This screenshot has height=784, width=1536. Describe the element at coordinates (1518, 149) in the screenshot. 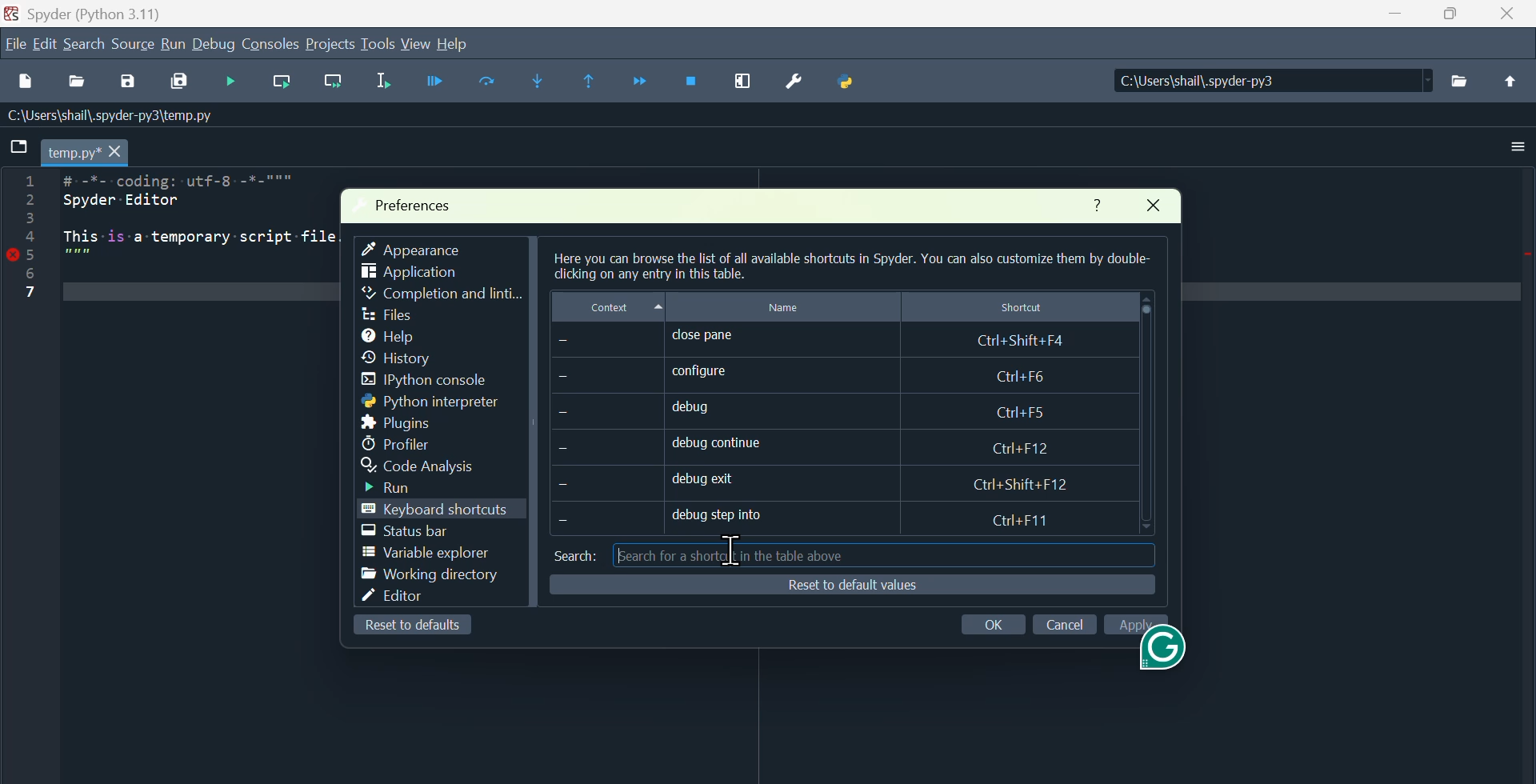

I see `More options` at that location.